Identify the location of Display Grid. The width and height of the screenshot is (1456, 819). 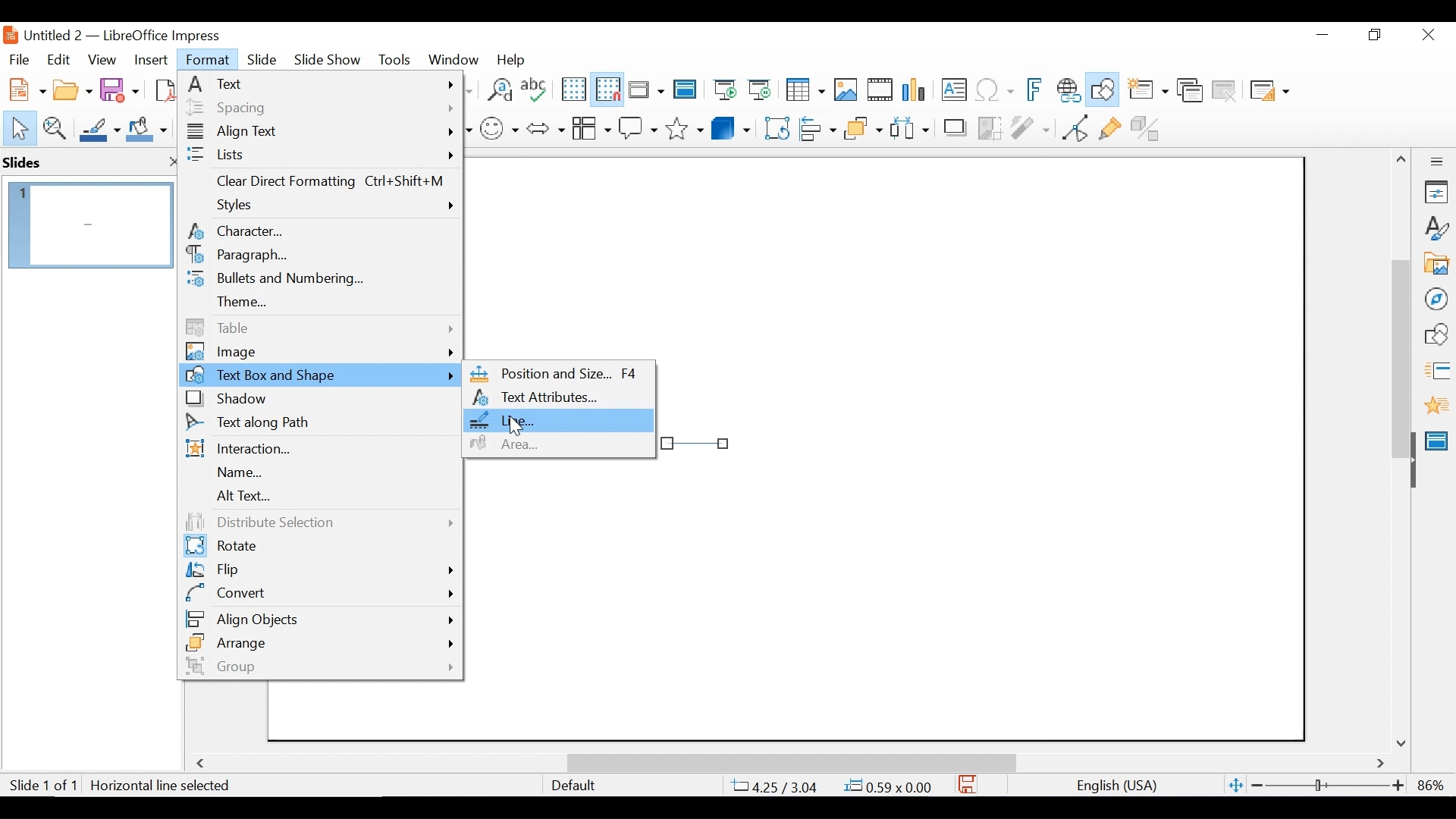
(573, 89).